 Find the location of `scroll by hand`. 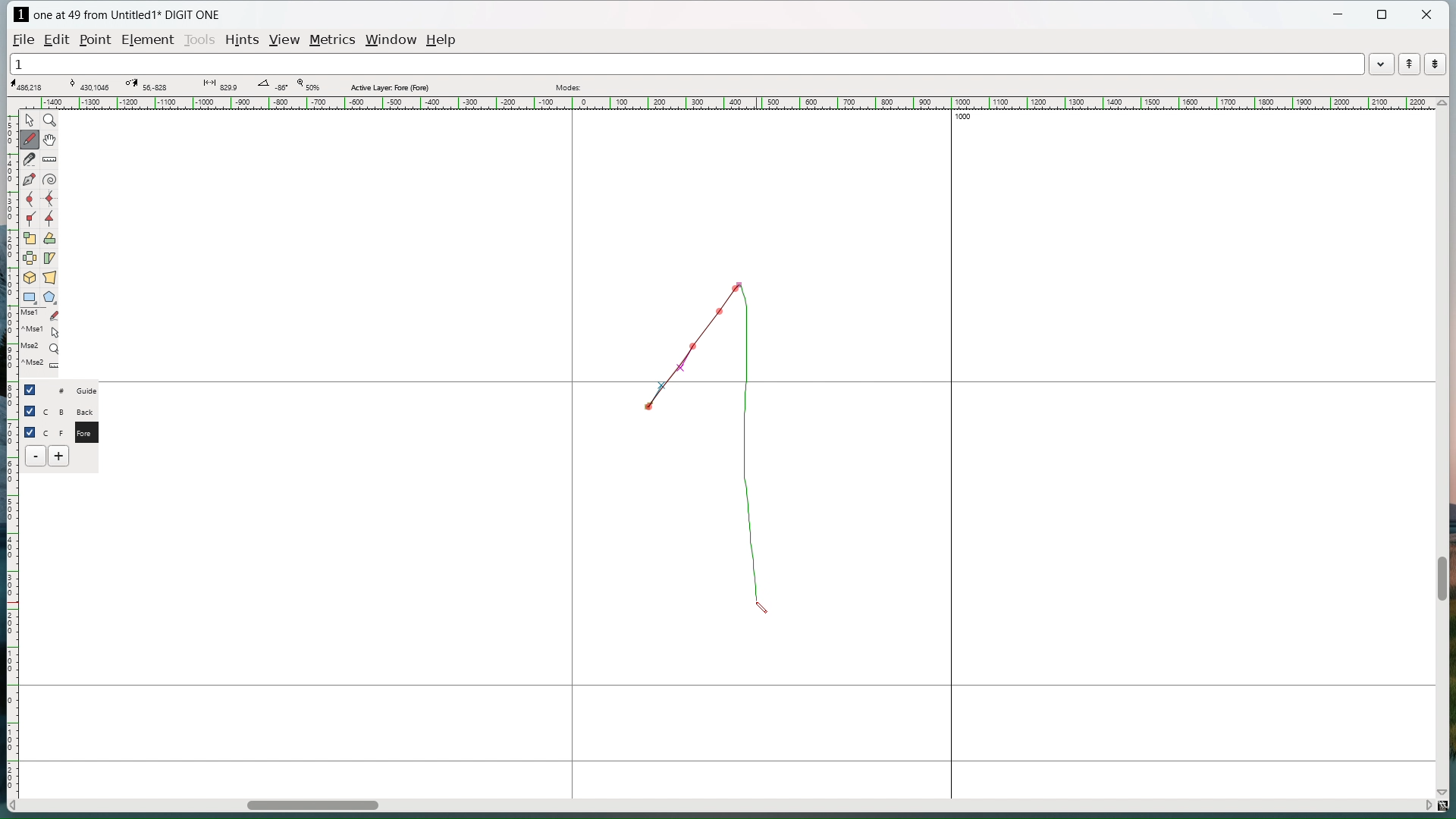

scroll by hand is located at coordinates (52, 139).